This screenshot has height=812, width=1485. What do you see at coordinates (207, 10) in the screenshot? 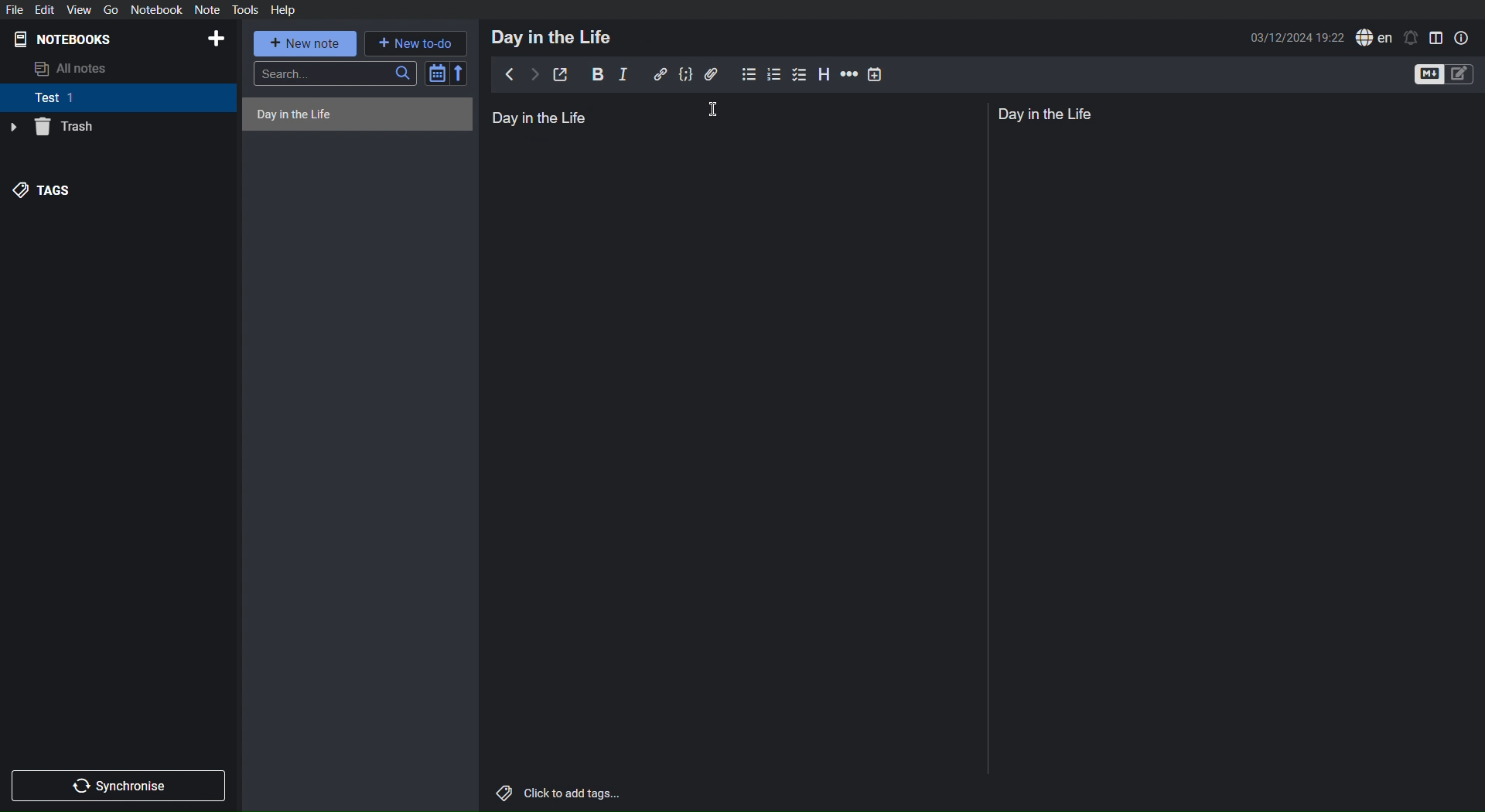
I see `Note` at bounding box center [207, 10].